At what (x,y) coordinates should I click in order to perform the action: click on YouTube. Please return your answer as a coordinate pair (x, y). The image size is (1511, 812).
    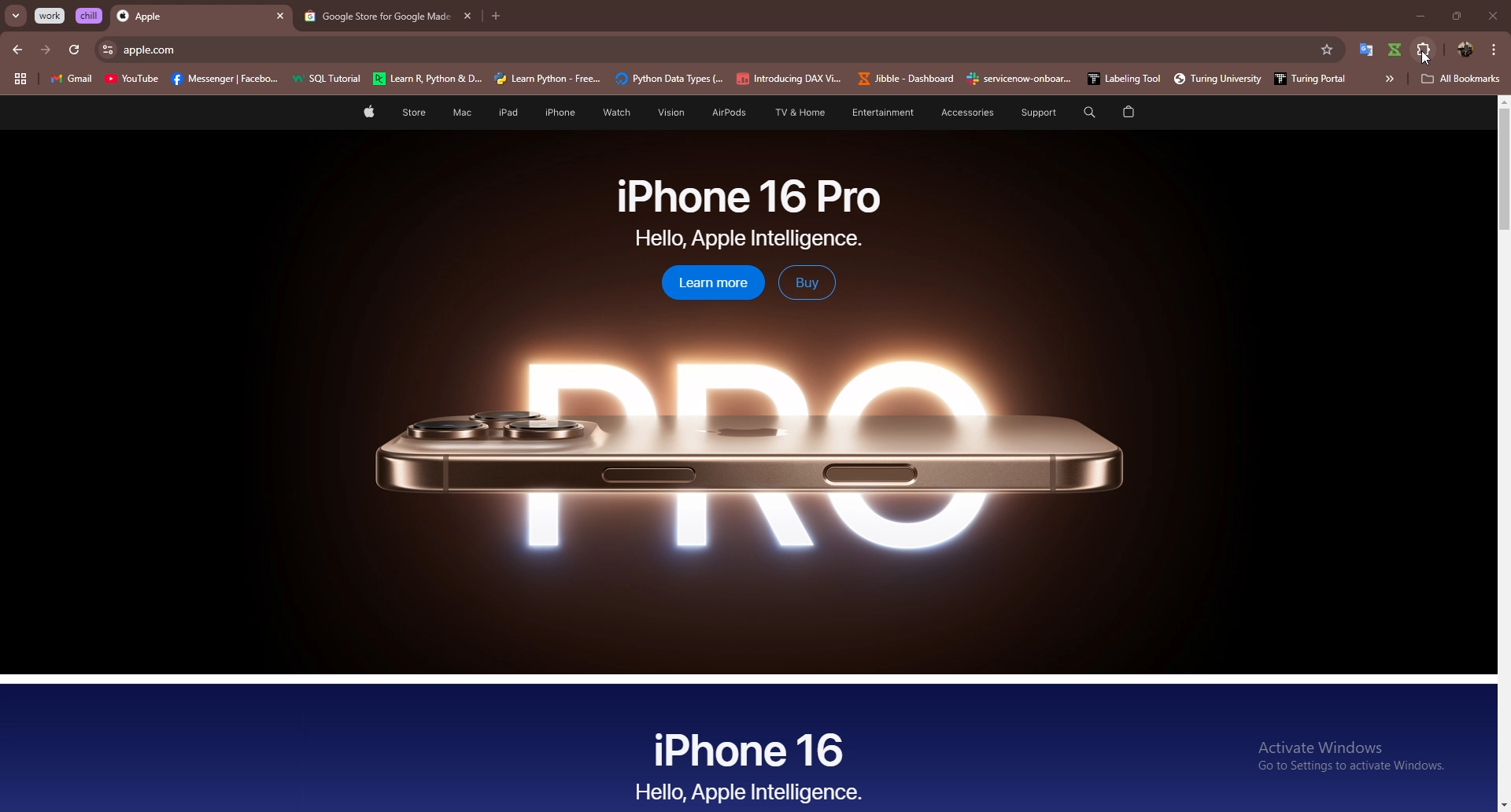
    Looking at the image, I should click on (131, 81).